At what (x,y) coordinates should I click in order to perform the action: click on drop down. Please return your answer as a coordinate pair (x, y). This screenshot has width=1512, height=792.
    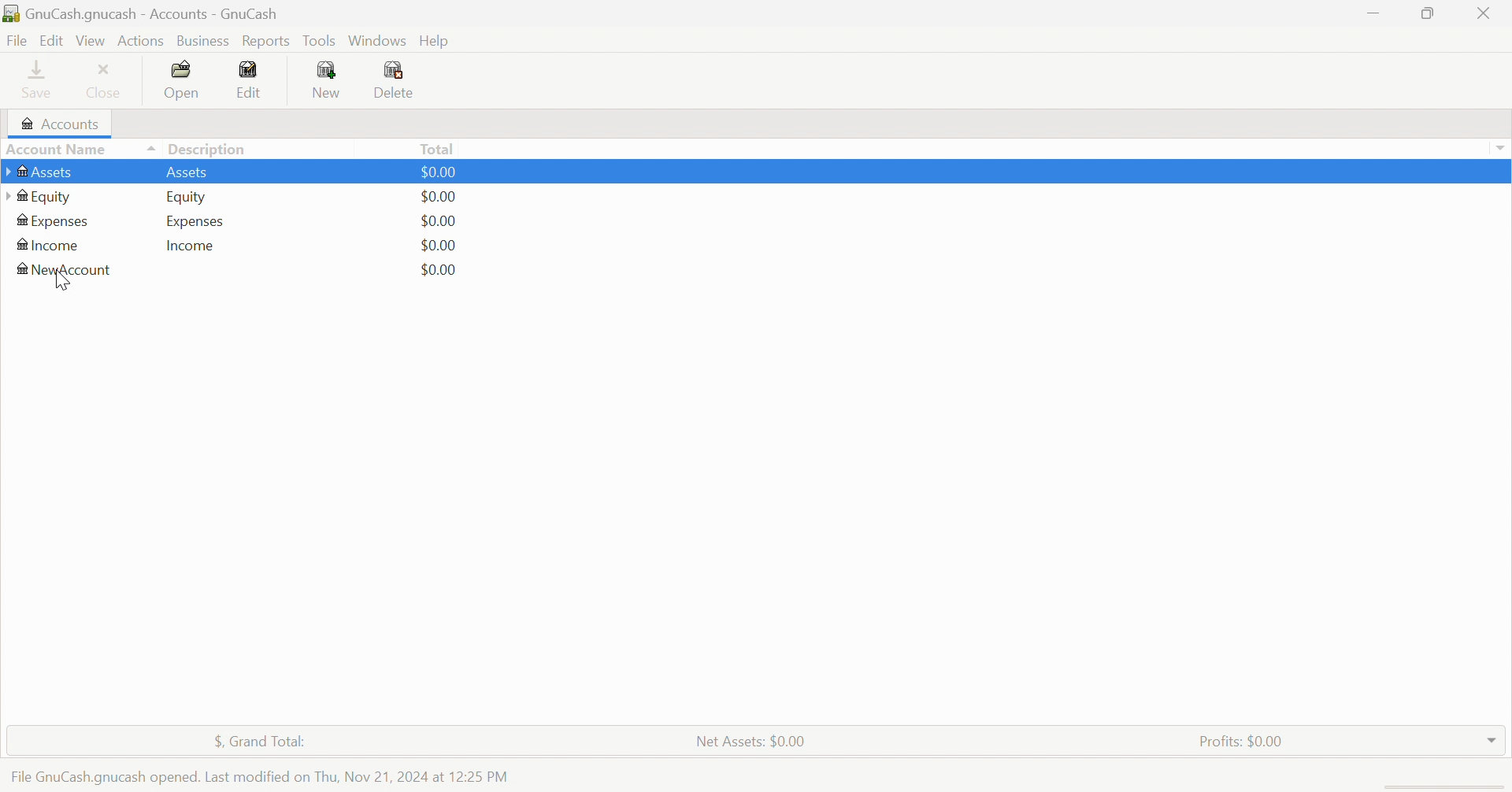
    Looking at the image, I should click on (1503, 146).